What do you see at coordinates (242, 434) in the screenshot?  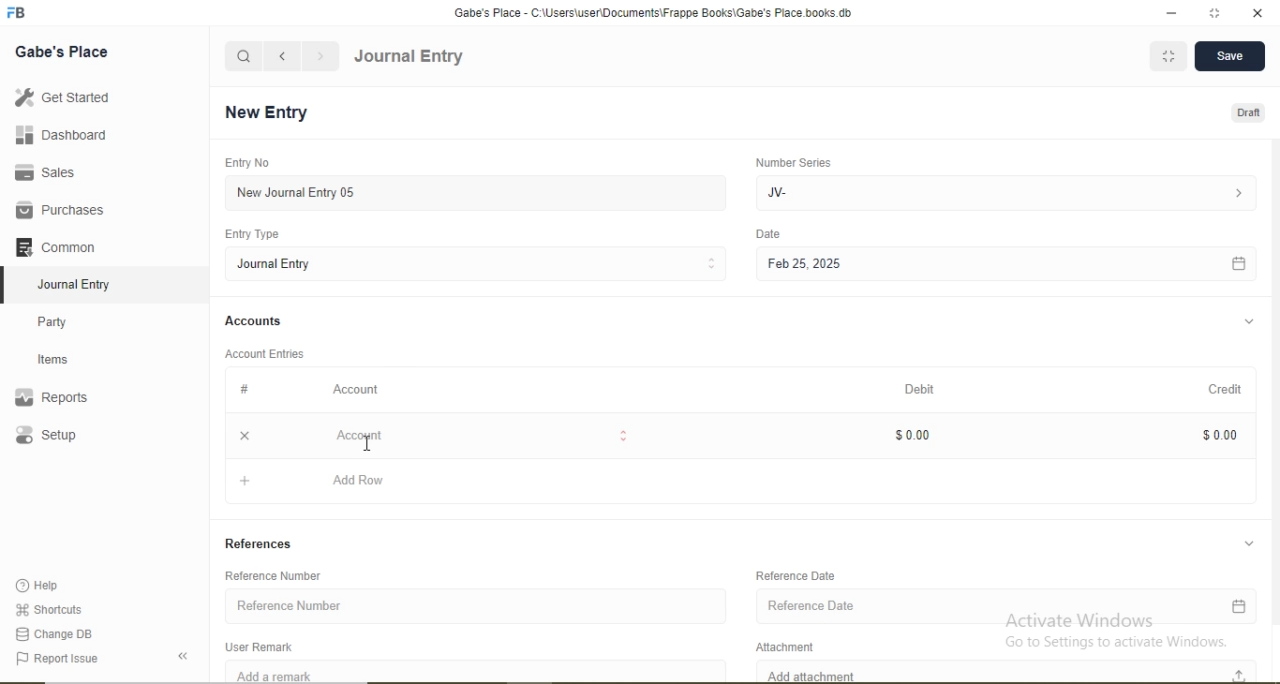 I see `close` at bounding box center [242, 434].